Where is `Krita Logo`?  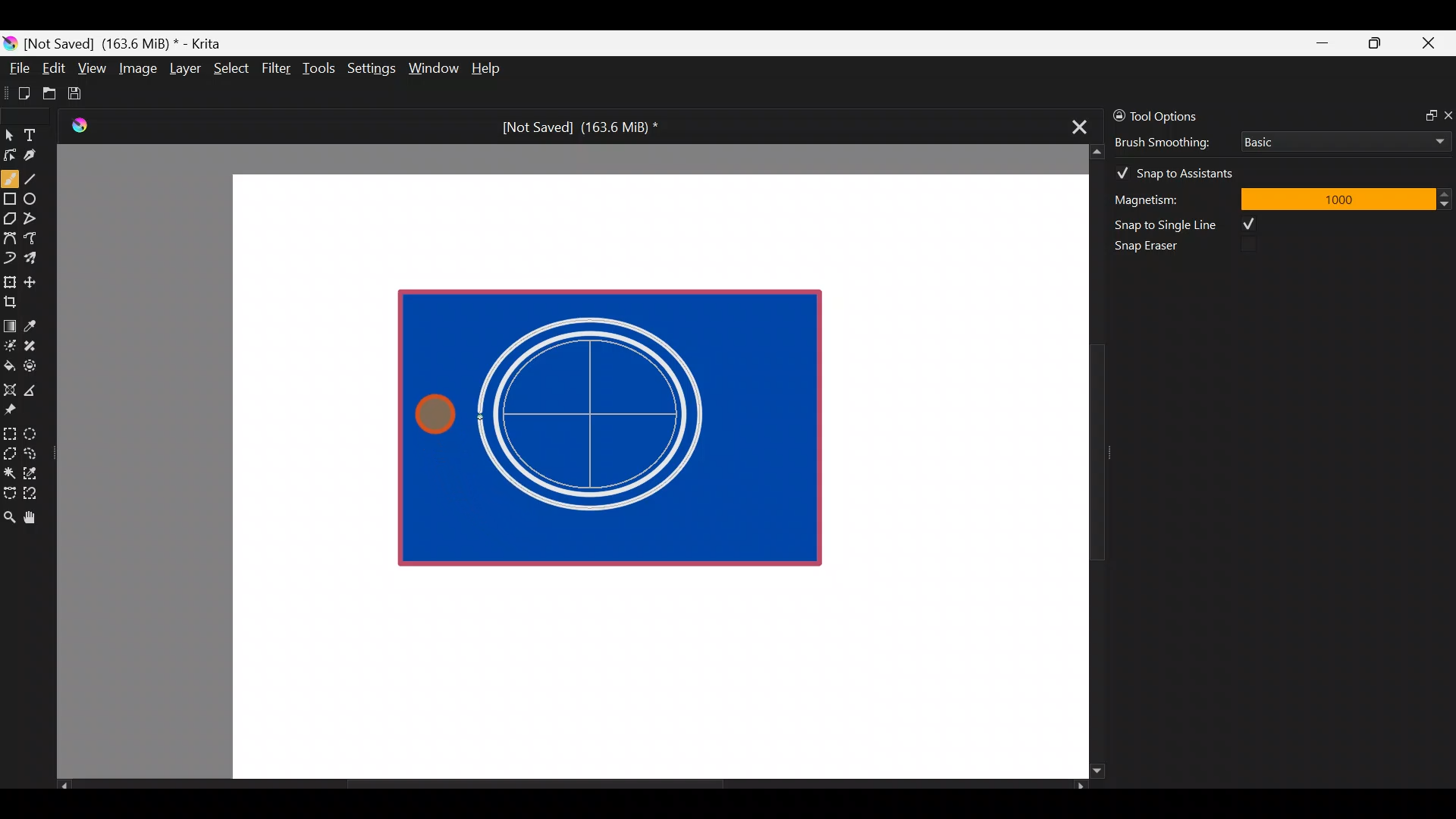
Krita Logo is located at coordinates (77, 125).